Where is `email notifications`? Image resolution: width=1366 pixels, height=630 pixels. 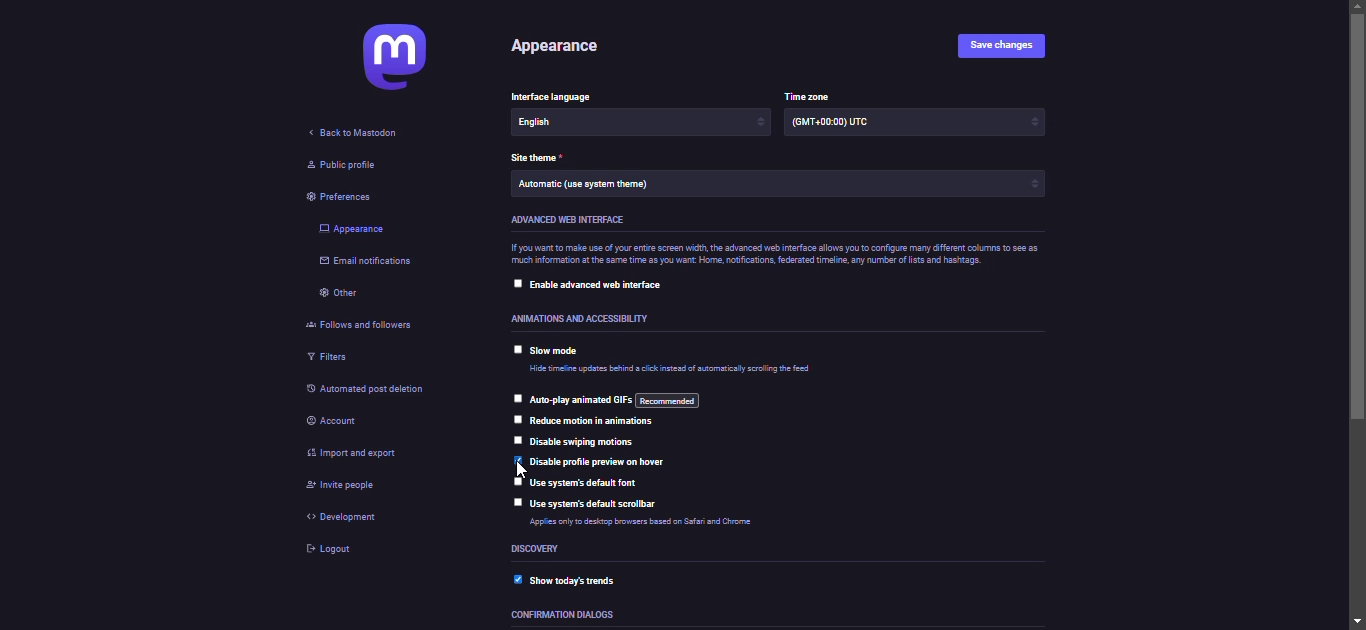 email notifications is located at coordinates (366, 264).